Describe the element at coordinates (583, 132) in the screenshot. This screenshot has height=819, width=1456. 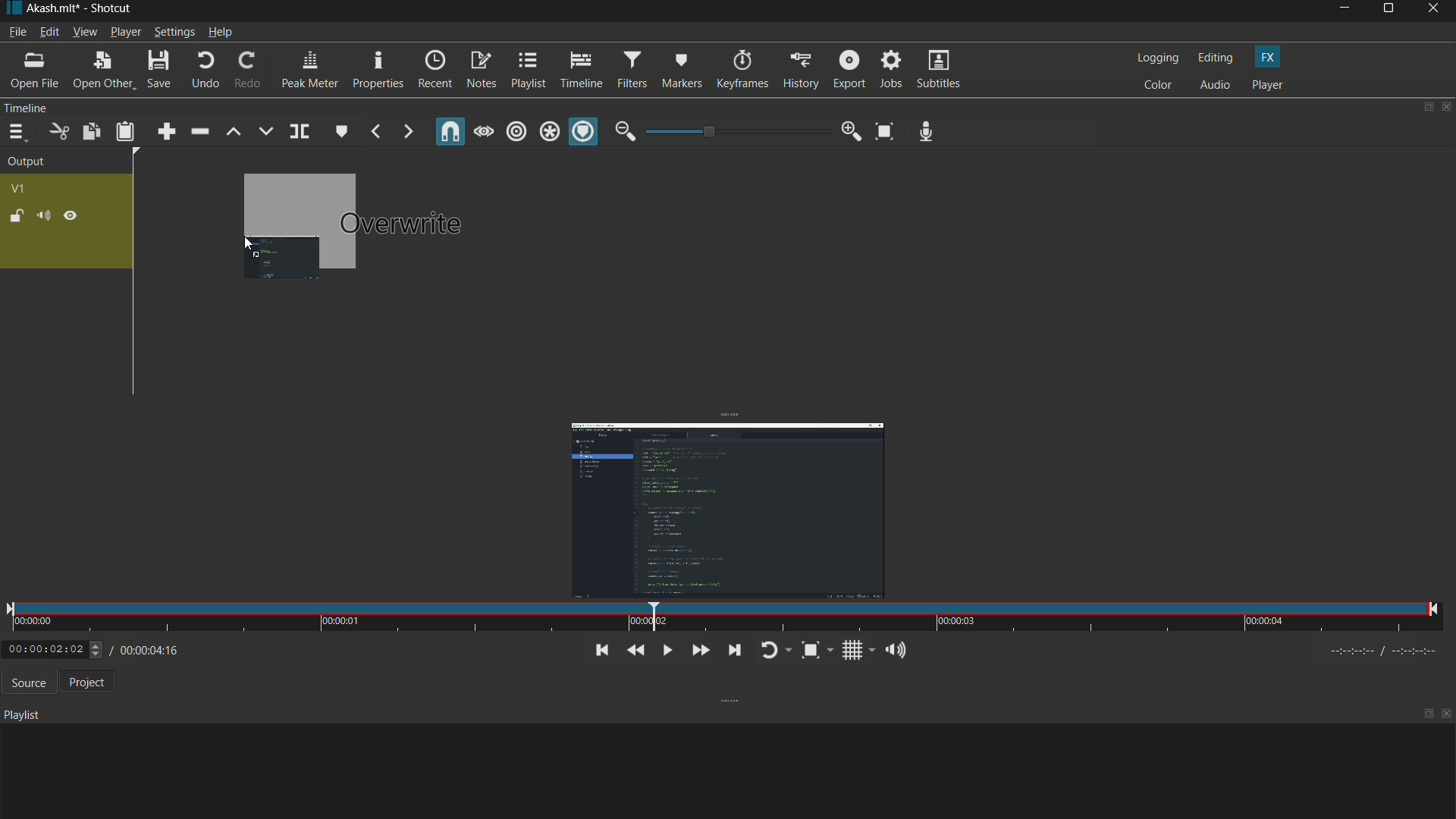
I see `ripple marker` at that location.